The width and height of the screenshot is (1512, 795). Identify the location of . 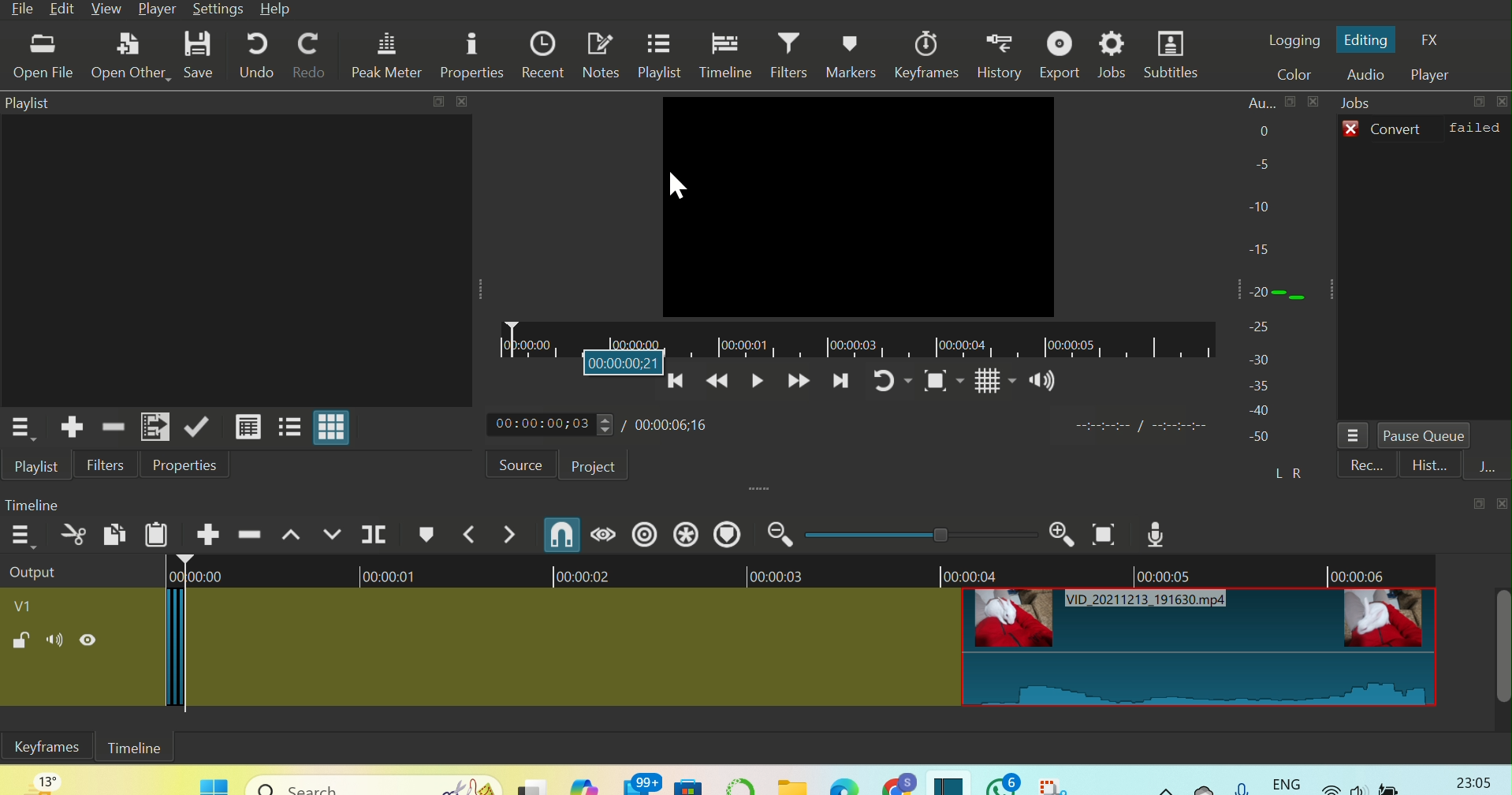
(1181, 427).